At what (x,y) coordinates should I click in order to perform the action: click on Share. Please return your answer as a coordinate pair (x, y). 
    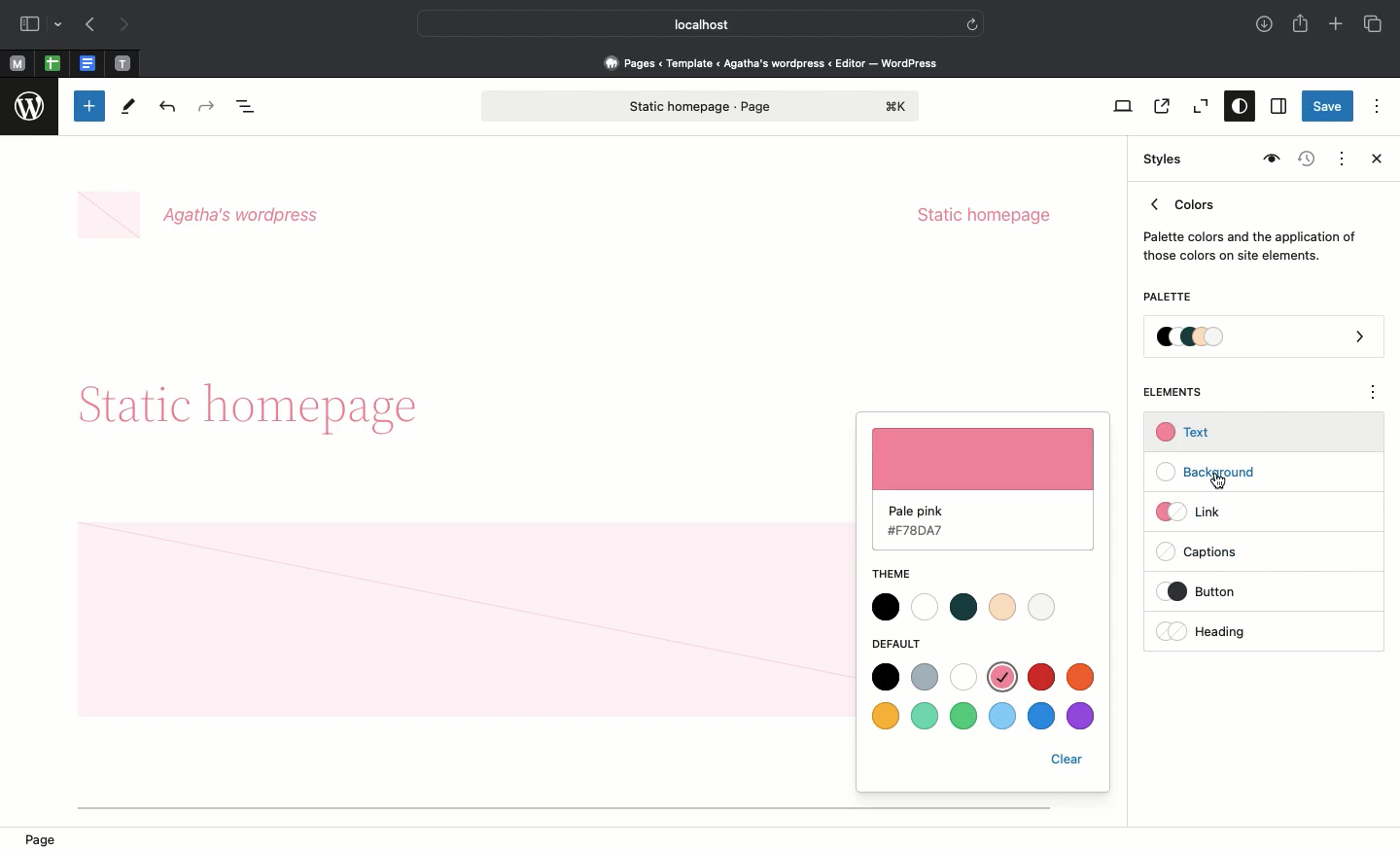
    Looking at the image, I should click on (1302, 23).